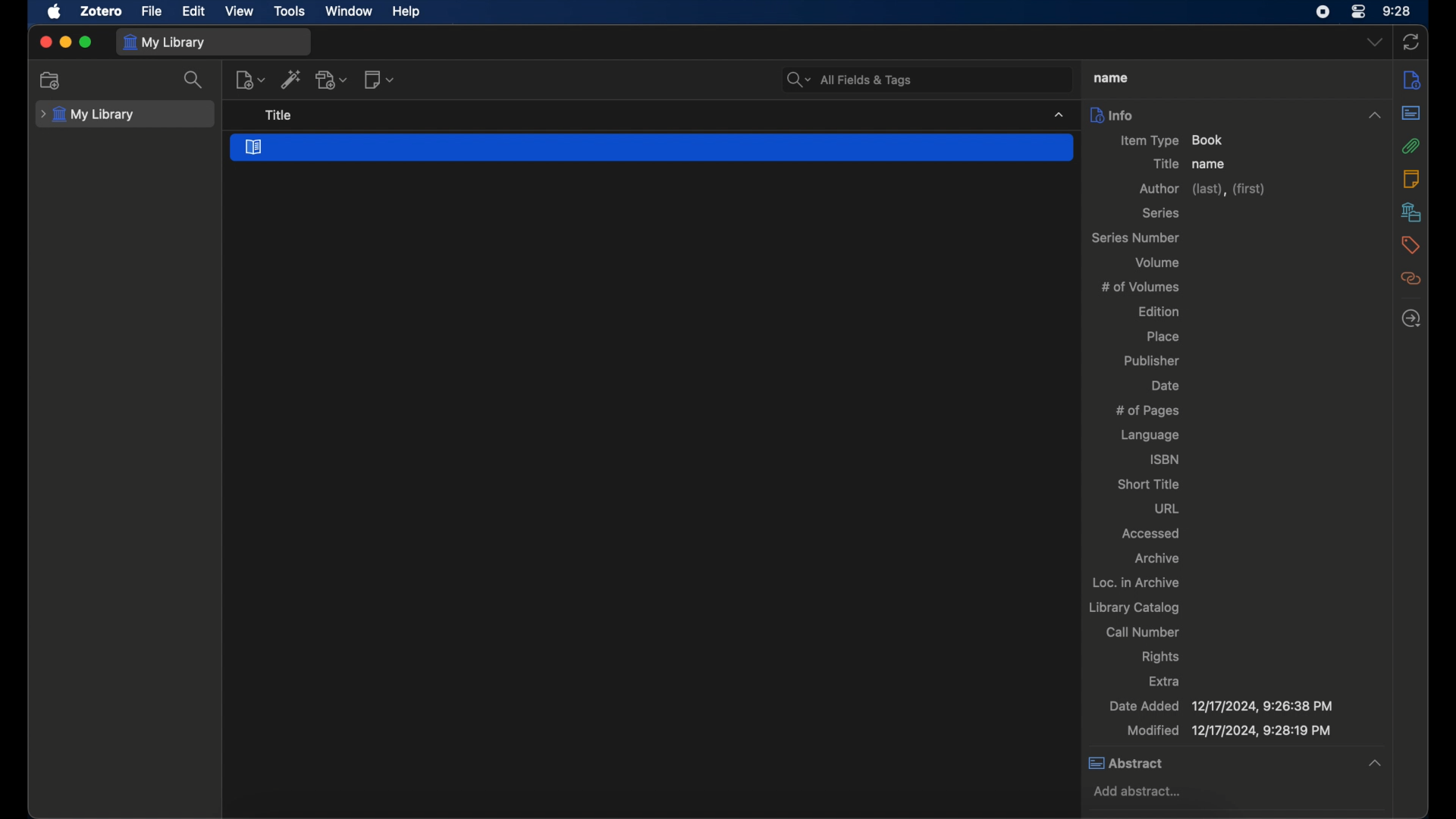  I want to click on library catalog, so click(1134, 608).